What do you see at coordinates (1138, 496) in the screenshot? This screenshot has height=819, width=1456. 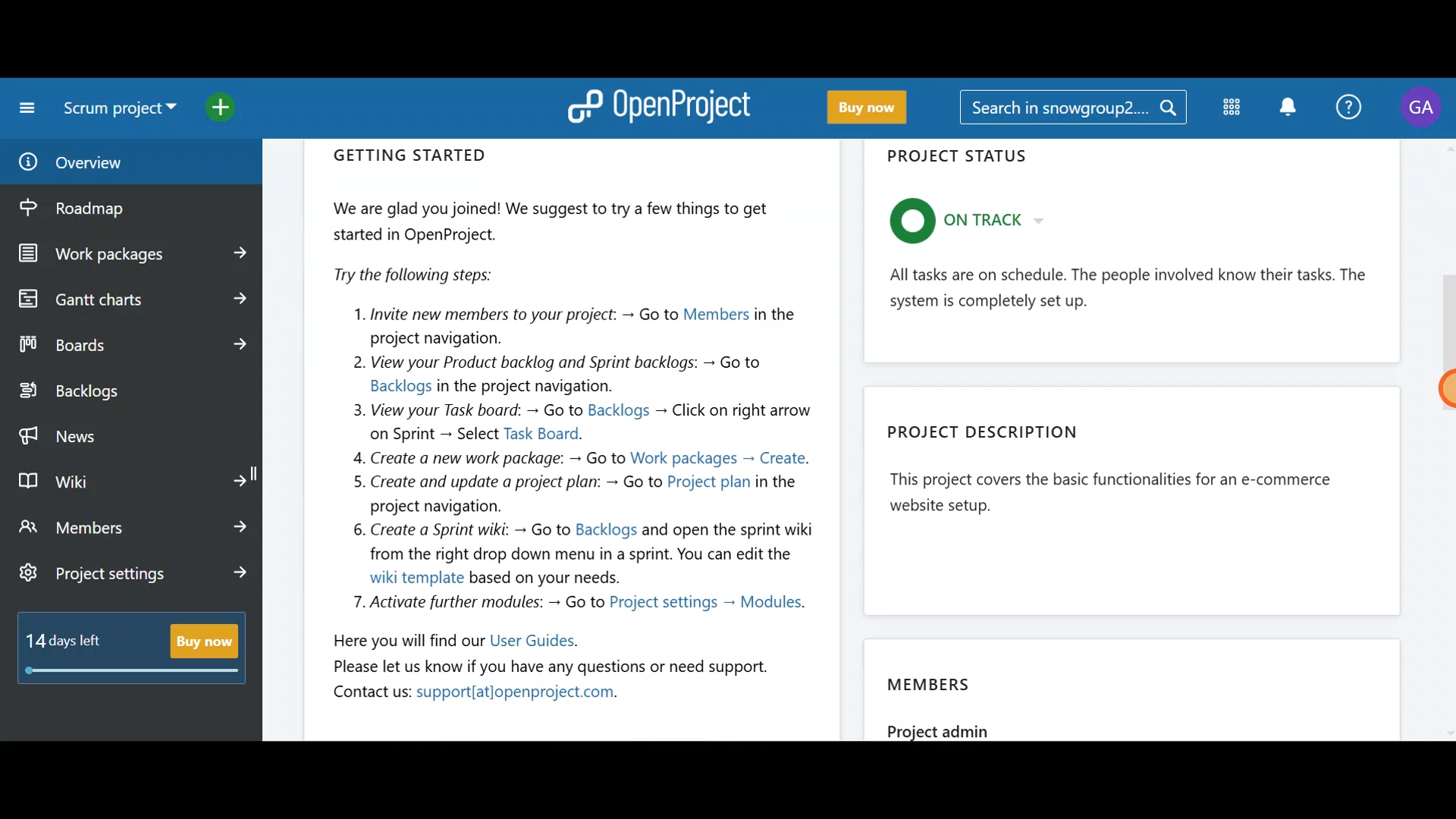 I see `Project description` at bounding box center [1138, 496].